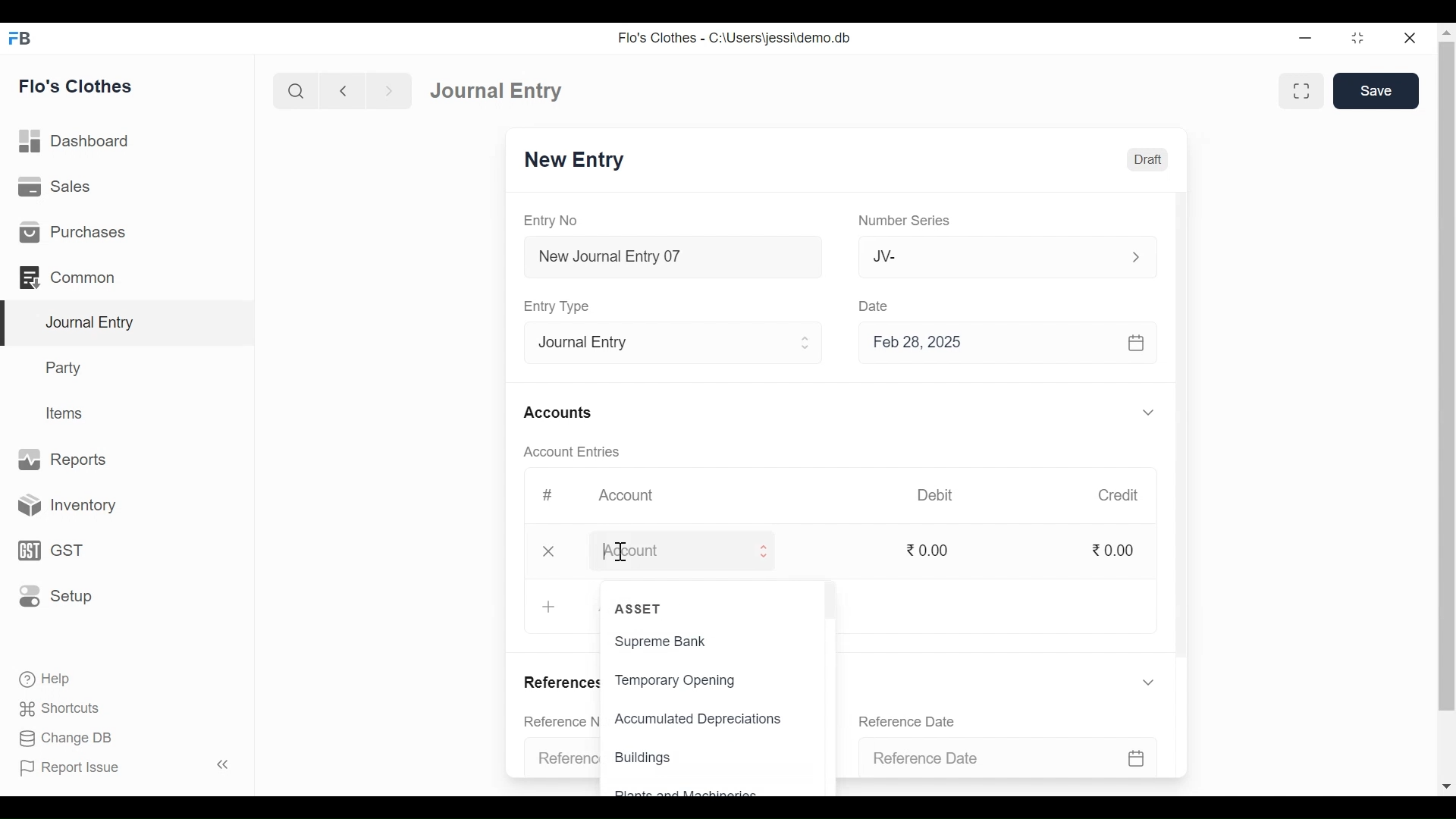 Image resolution: width=1456 pixels, height=819 pixels. What do you see at coordinates (70, 277) in the screenshot?
I see `Common` at bounding box center [70, 277].